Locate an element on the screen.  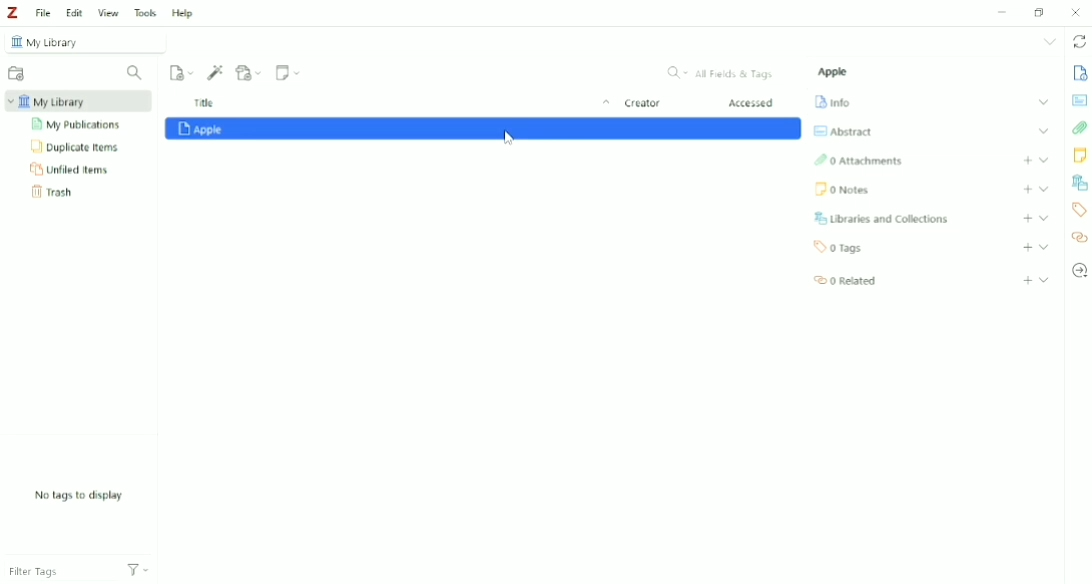
My Library is located at coordinates (81, 42).